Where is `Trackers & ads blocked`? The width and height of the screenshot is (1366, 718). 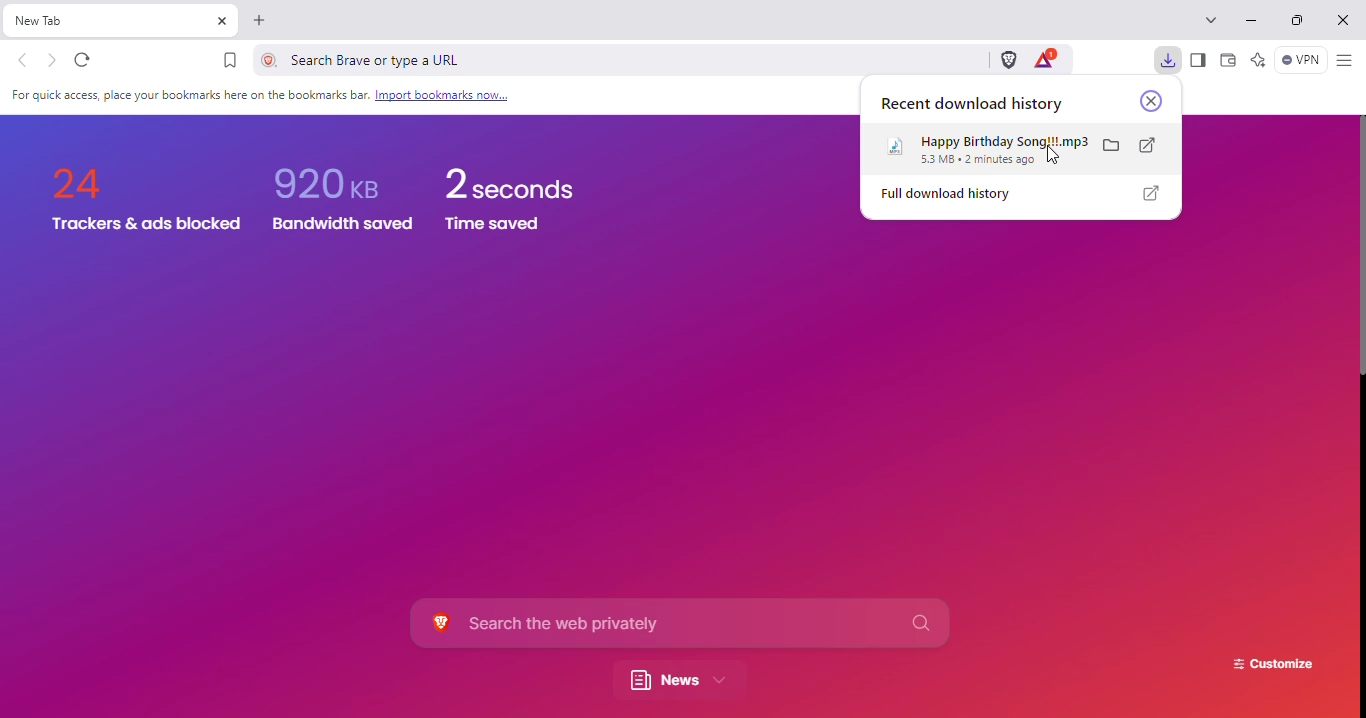 Trackers & ads blocked is located at coordinates (145, 225).